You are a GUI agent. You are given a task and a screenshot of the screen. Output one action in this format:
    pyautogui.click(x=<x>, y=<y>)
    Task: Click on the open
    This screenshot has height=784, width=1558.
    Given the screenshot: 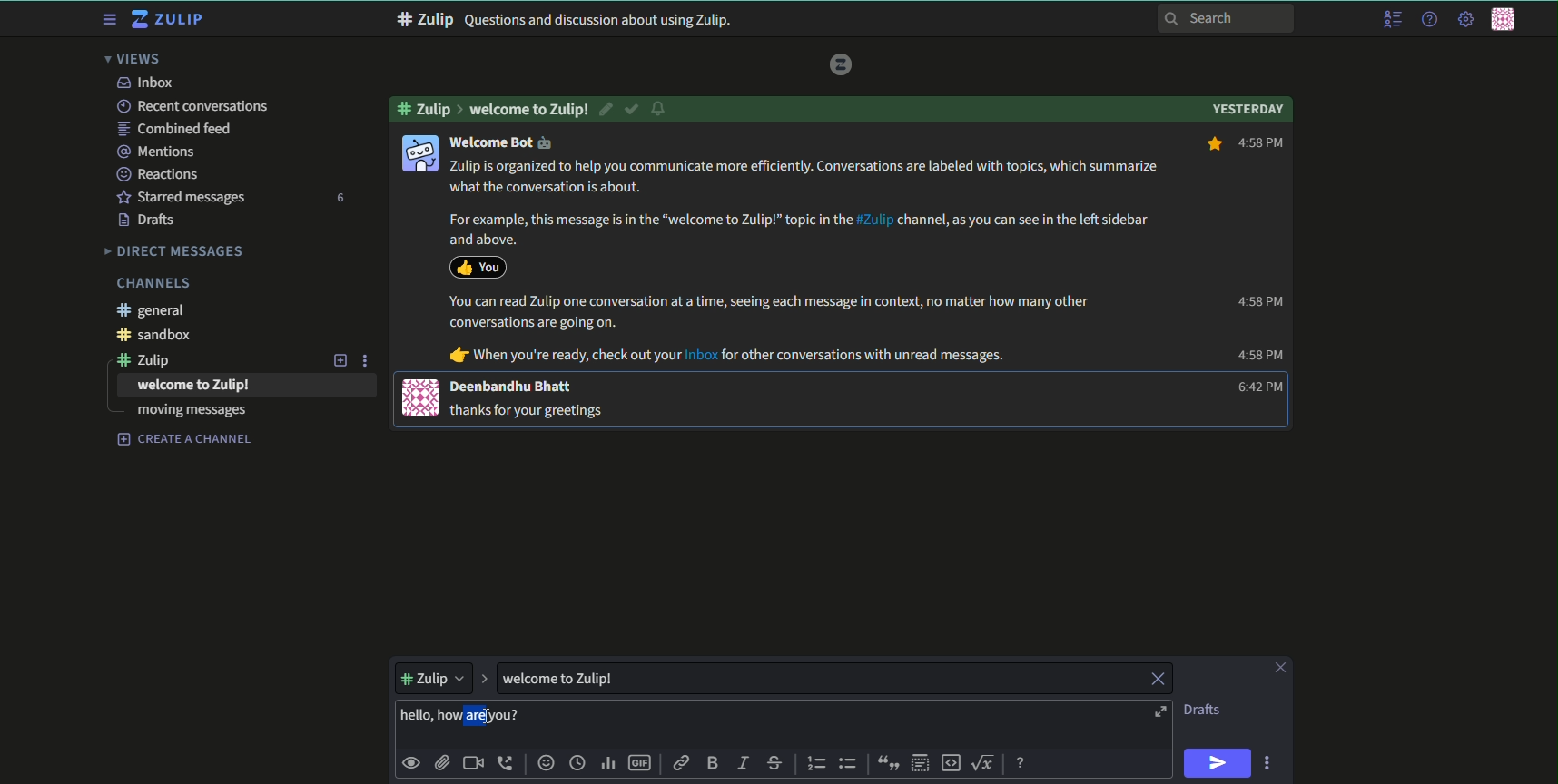 What is the action you would take?
    pyautogui.click(x=1159, y=712)
    